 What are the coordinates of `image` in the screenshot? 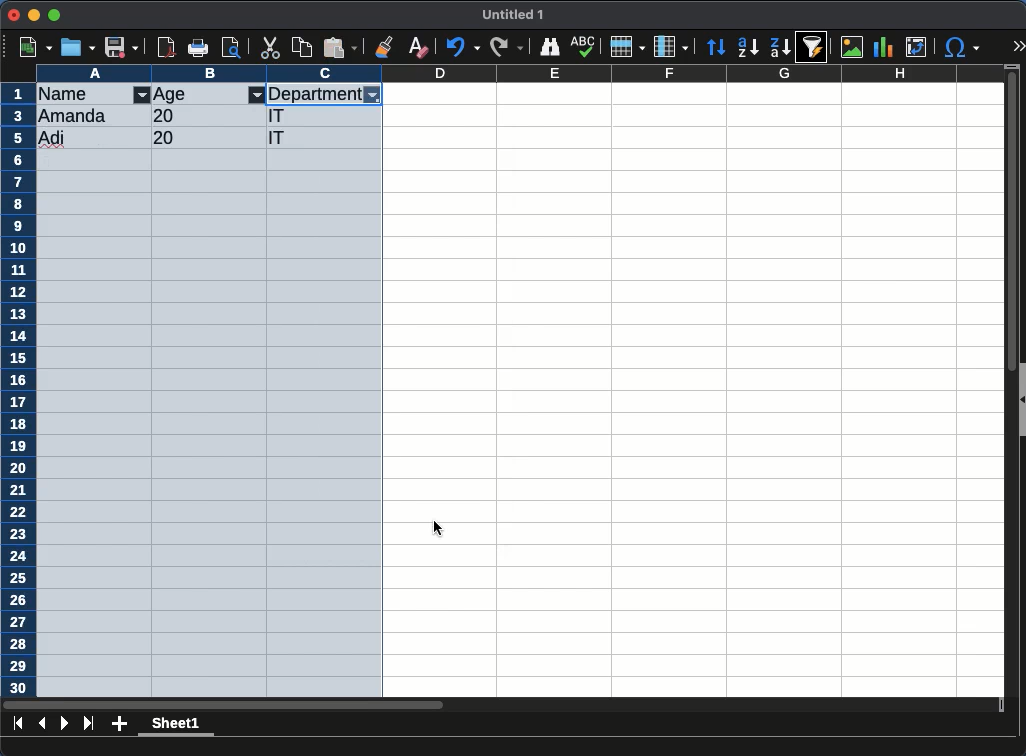 It's located at (851, 49).